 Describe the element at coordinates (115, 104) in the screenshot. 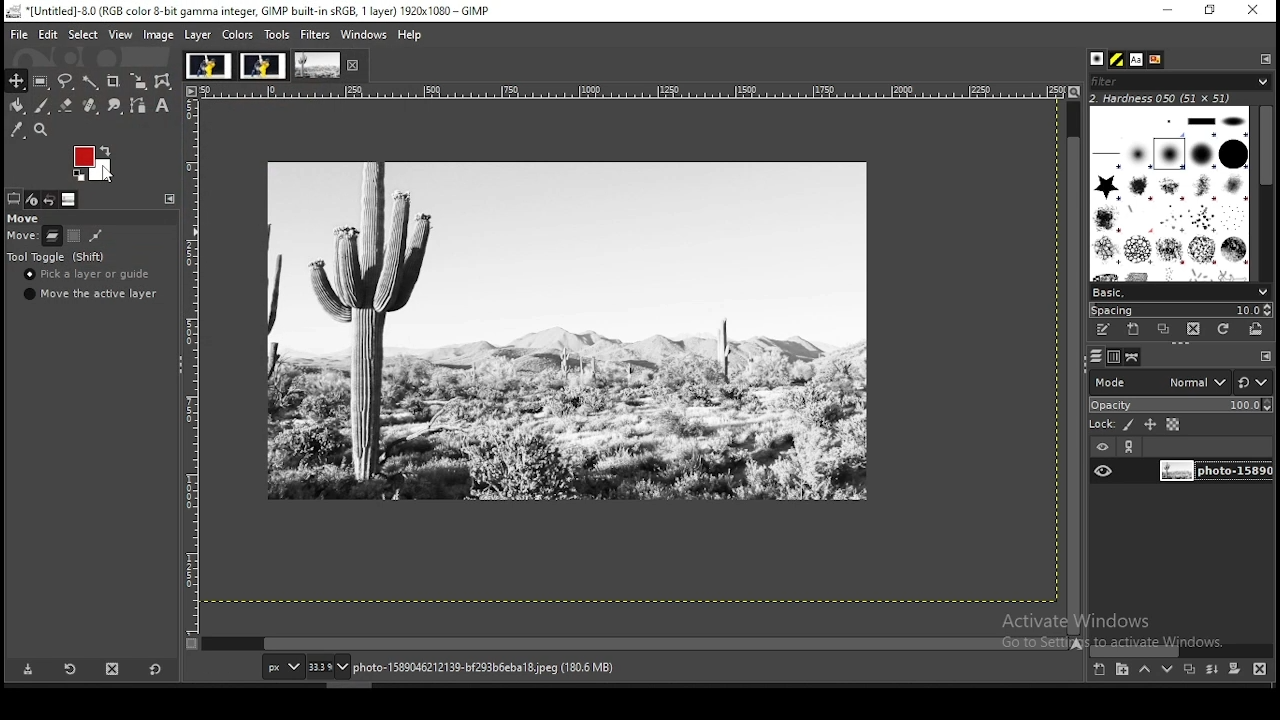

I see `smudge tool` at that location.